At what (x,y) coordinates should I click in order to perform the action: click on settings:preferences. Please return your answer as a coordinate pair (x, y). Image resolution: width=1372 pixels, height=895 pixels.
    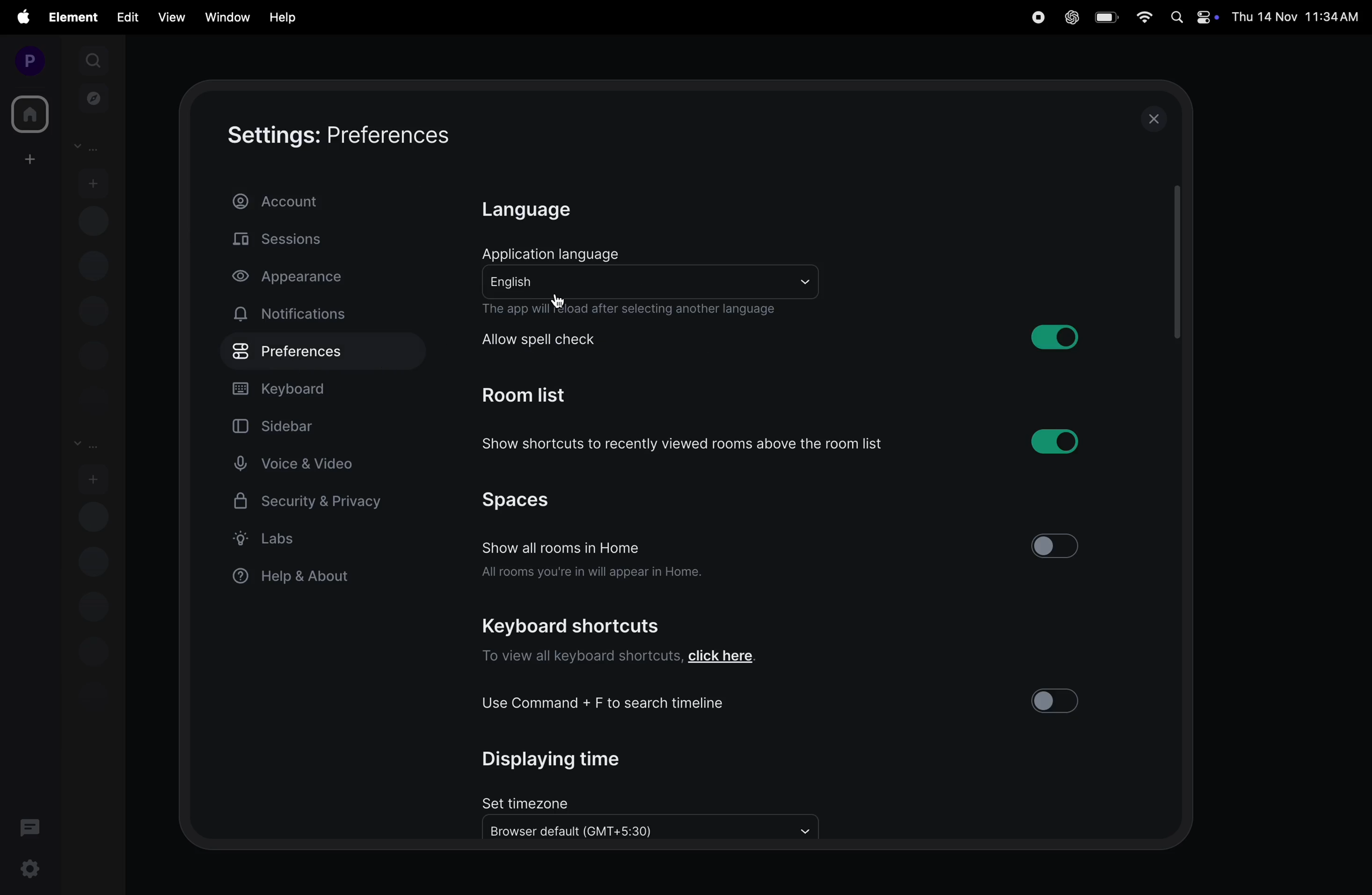
    Looking at the image, I should click on (345, 132).